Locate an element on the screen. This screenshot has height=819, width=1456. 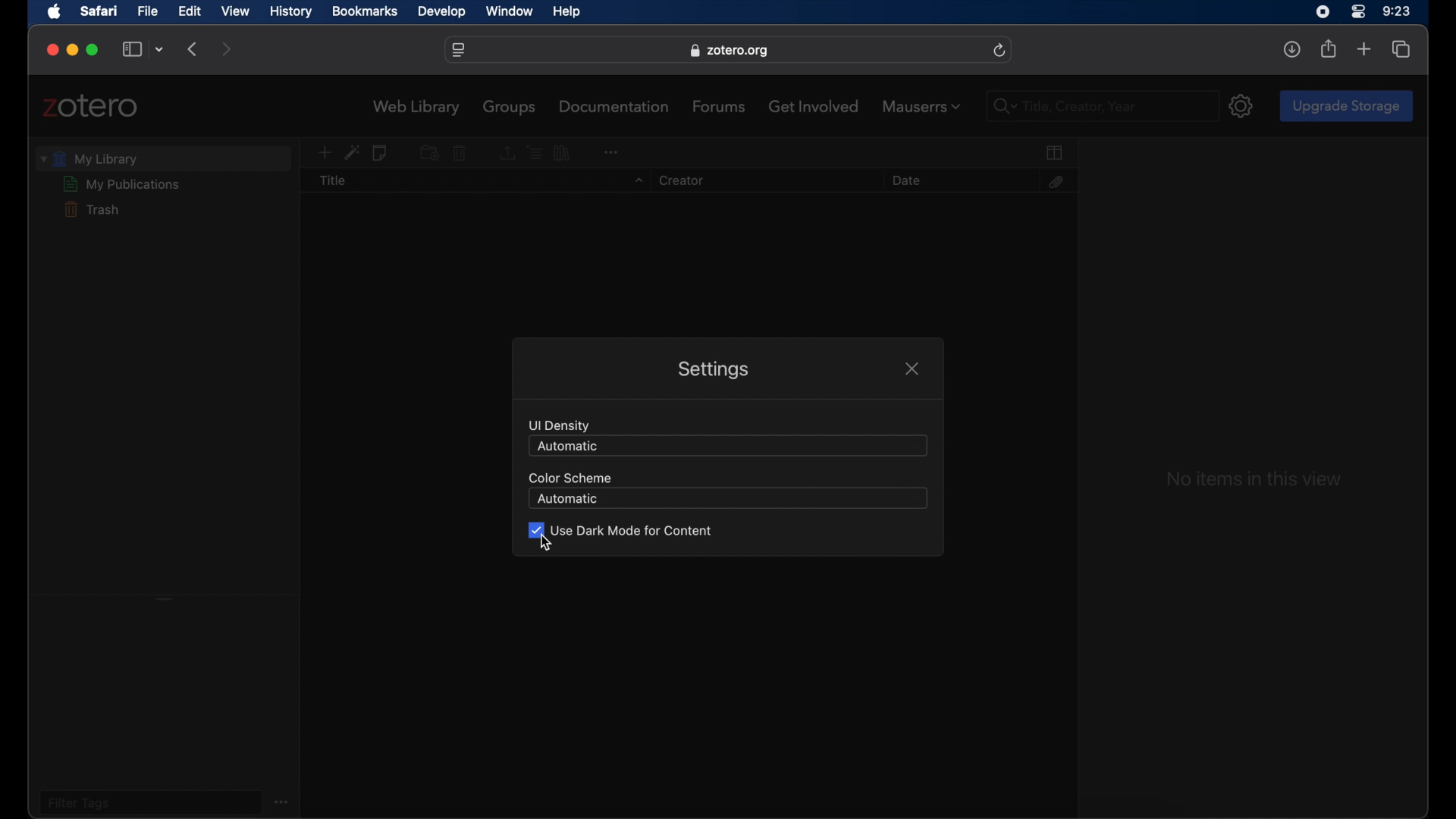
maximize is located at coordinates (94, 50).